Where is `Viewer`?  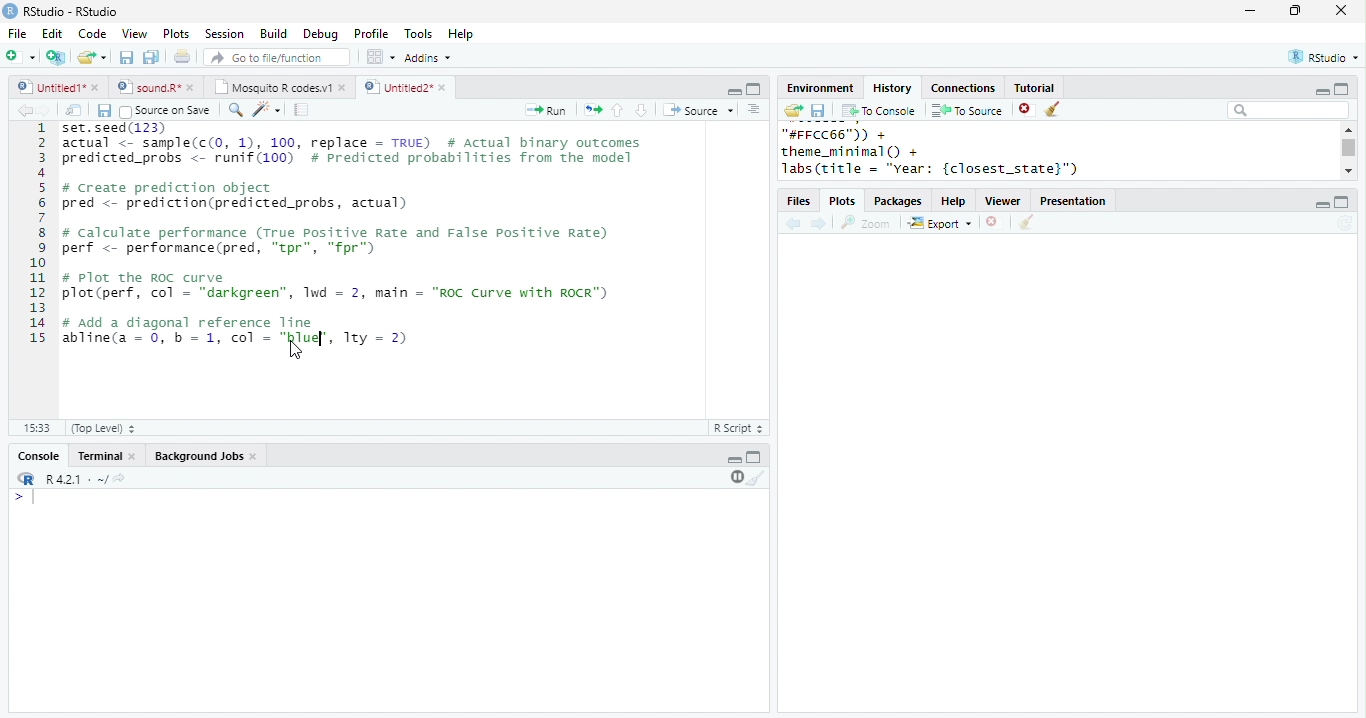 Viewer is located at coordinates (1004, 202).